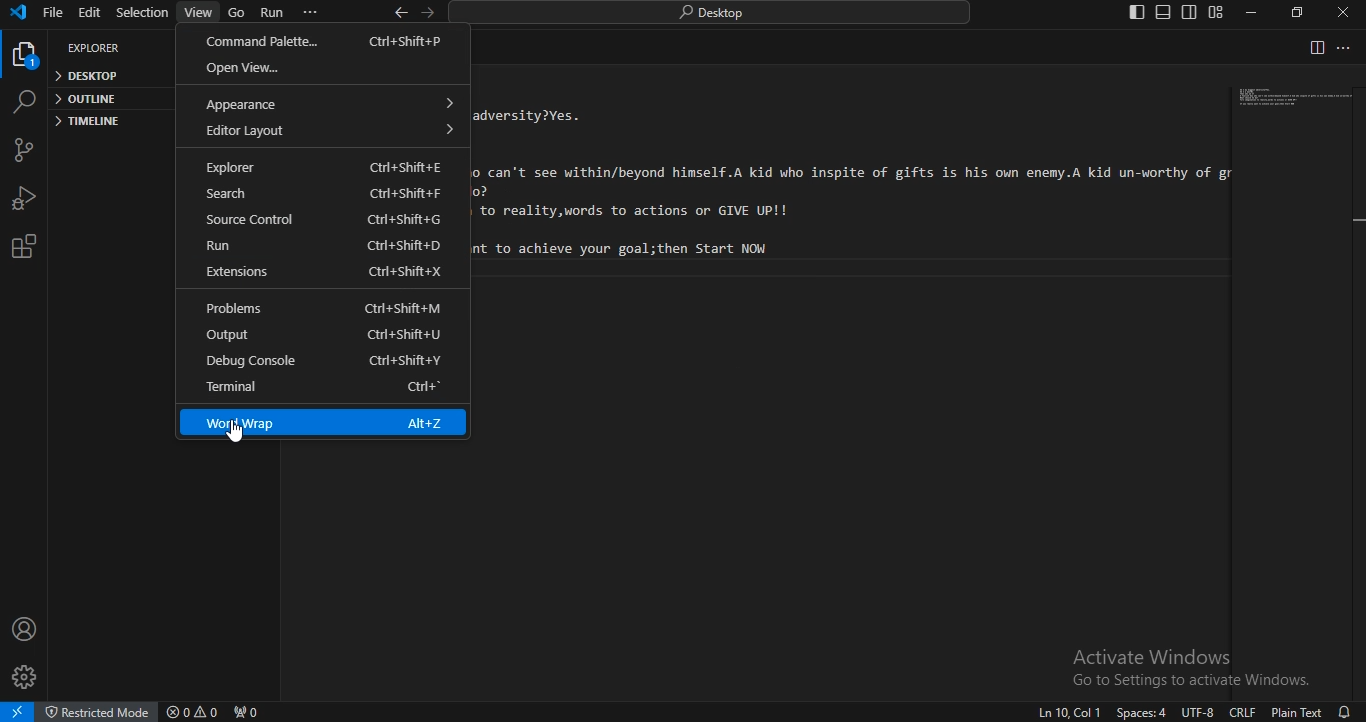 The height and width of the screenshot is (722, 1366). What do you see at coordinates (18, 14) in the screenshot?
I see `vscode icon` at bounding box center [18, 14].